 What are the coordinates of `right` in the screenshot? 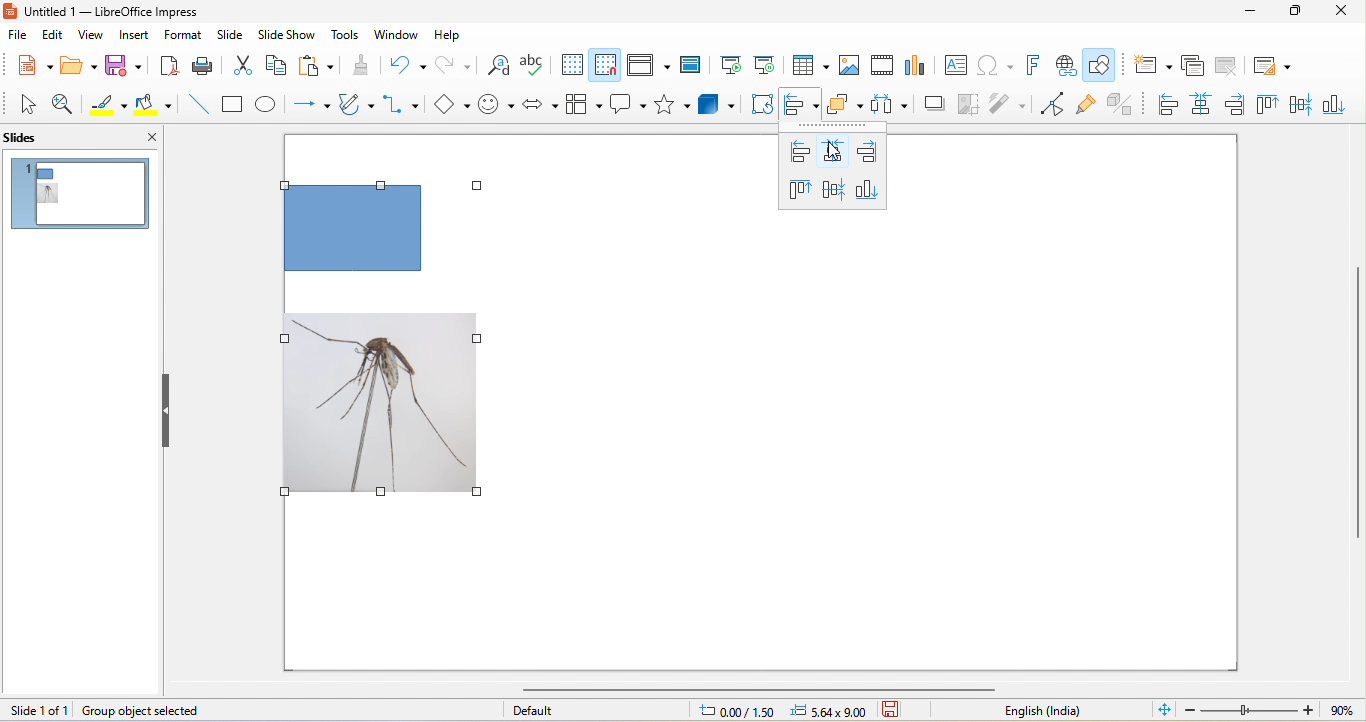 It's located at (1233, 106).